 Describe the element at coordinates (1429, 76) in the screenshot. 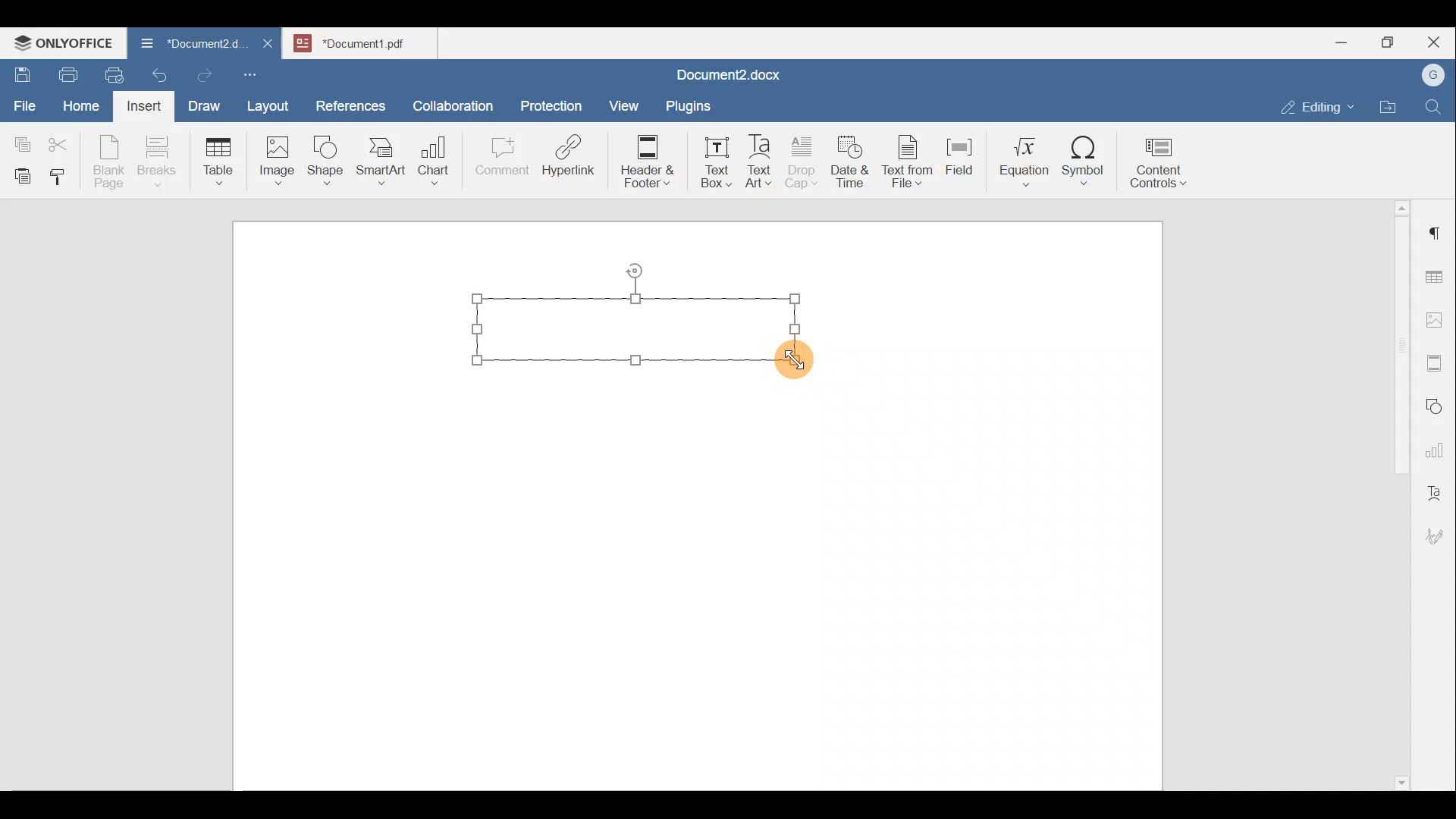

I see `Account name` at that location.